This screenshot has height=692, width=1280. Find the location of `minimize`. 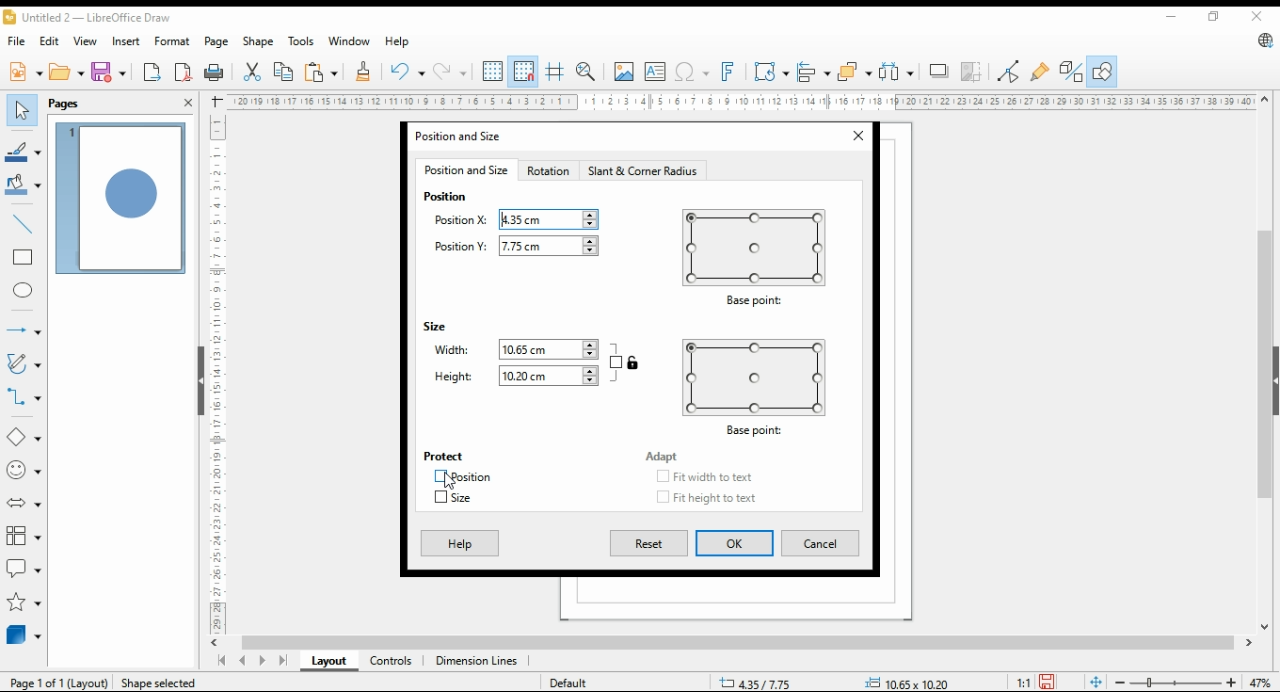

minimize is located at coordinates (1173, 18).